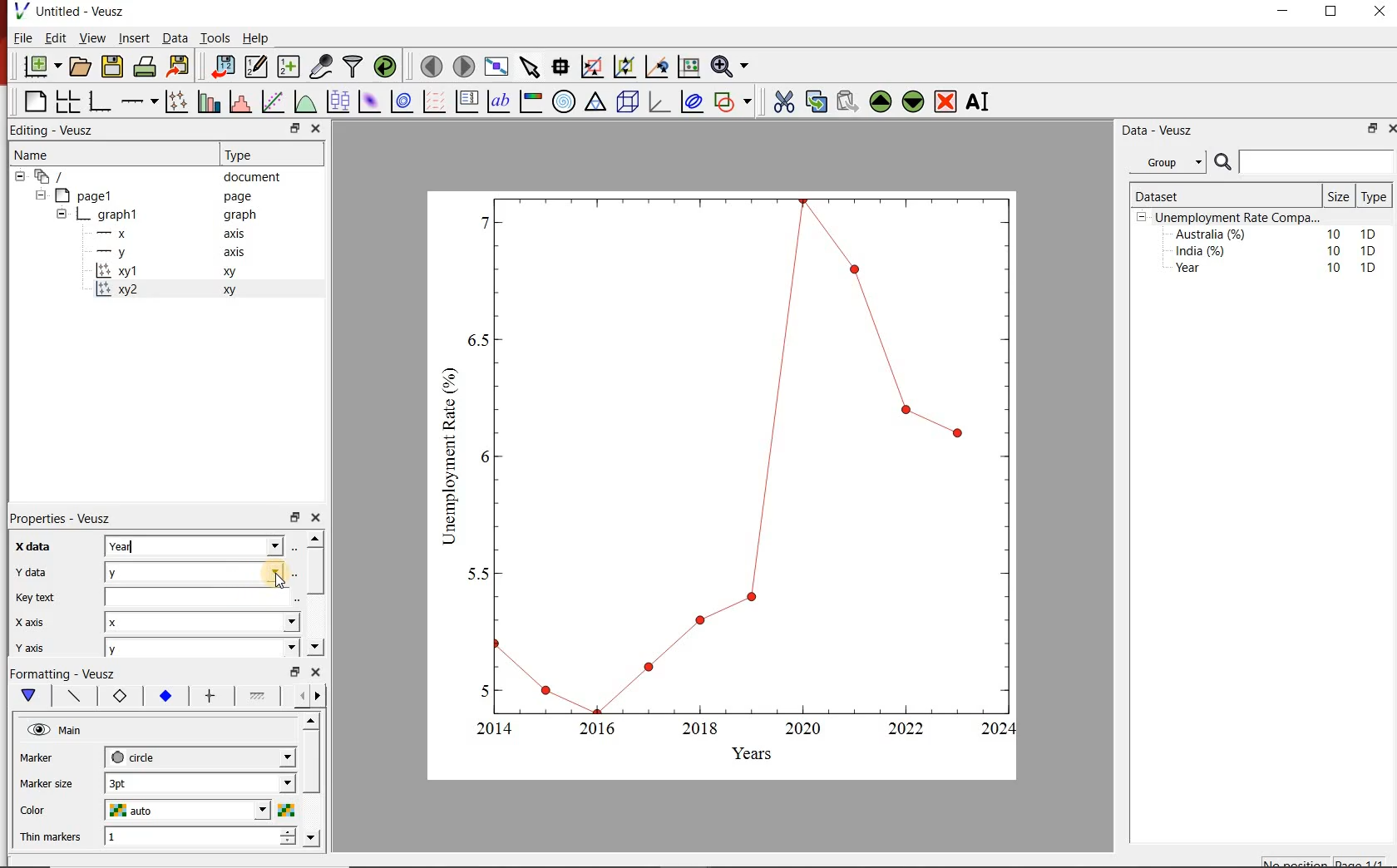 Image resolution: width=1397 pixels, height=868 pixels. What do you see at coordinates (1371, 128) in the screenshot?
I see `minimise` at bounding box center [1371, 128].